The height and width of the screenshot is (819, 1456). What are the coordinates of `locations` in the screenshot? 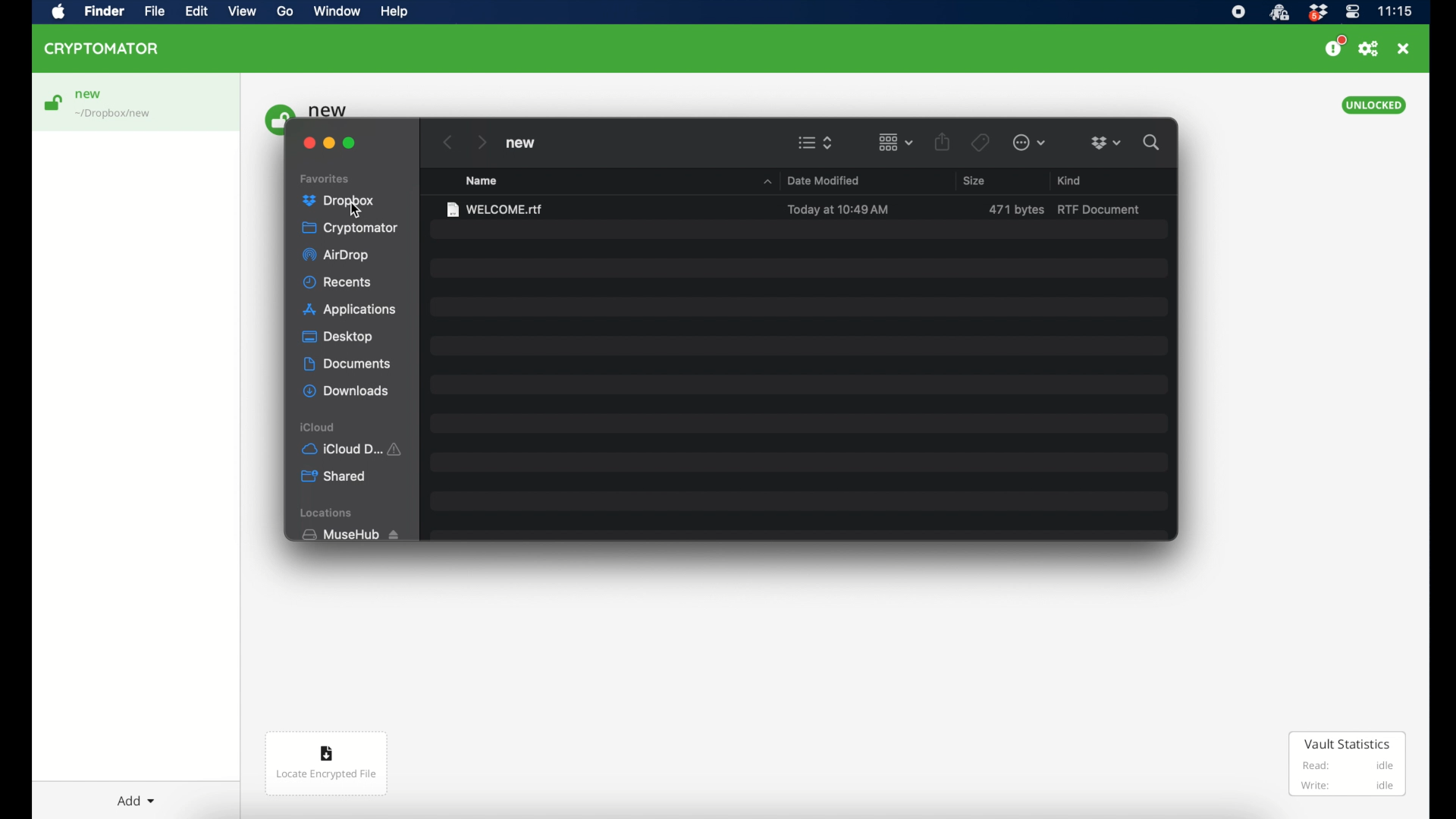 It's located at (328, 513).